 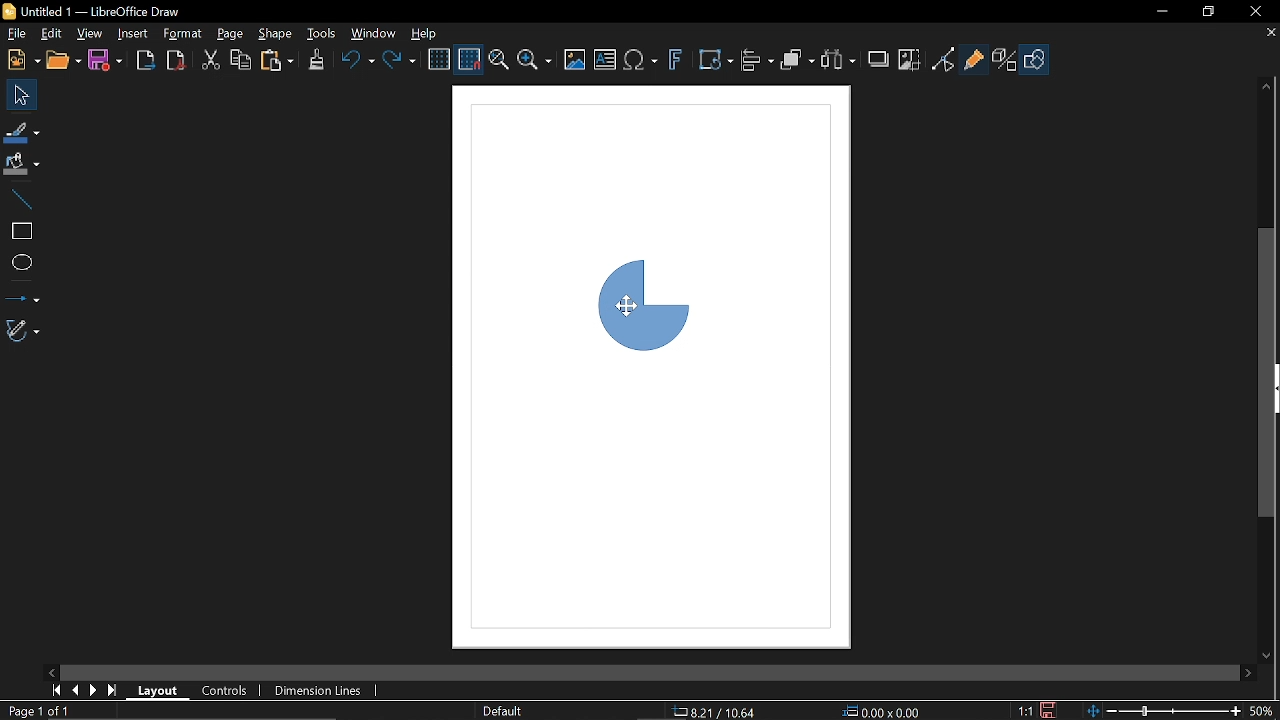 What do you see at coordinates (21, 298) in the screenshot?
I see `Lines and arrows` at bounding box center [21, 298].